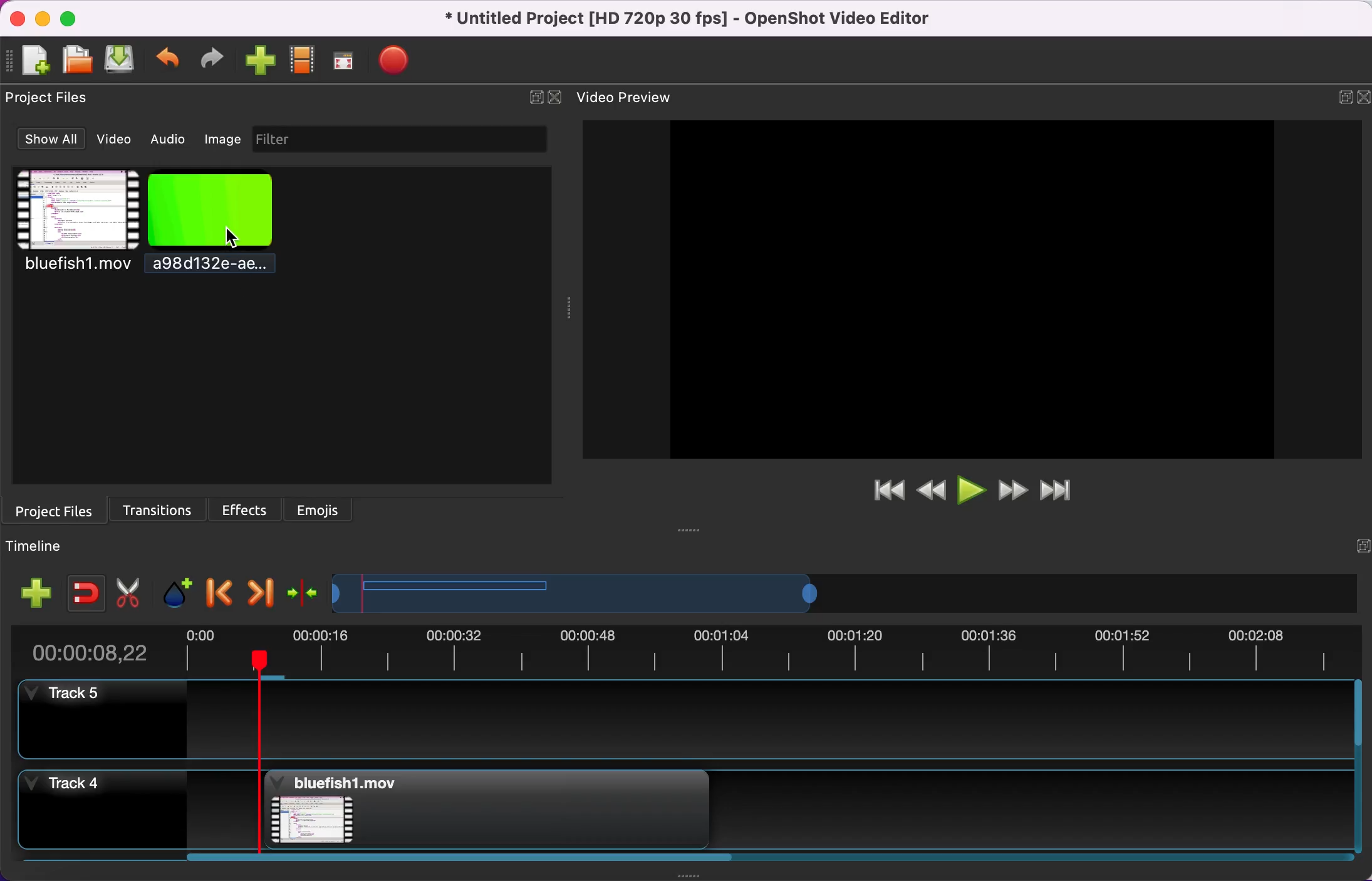  Describe the element at coordinates (888, 492) in the screenshot. I see `jump to start` at that location.